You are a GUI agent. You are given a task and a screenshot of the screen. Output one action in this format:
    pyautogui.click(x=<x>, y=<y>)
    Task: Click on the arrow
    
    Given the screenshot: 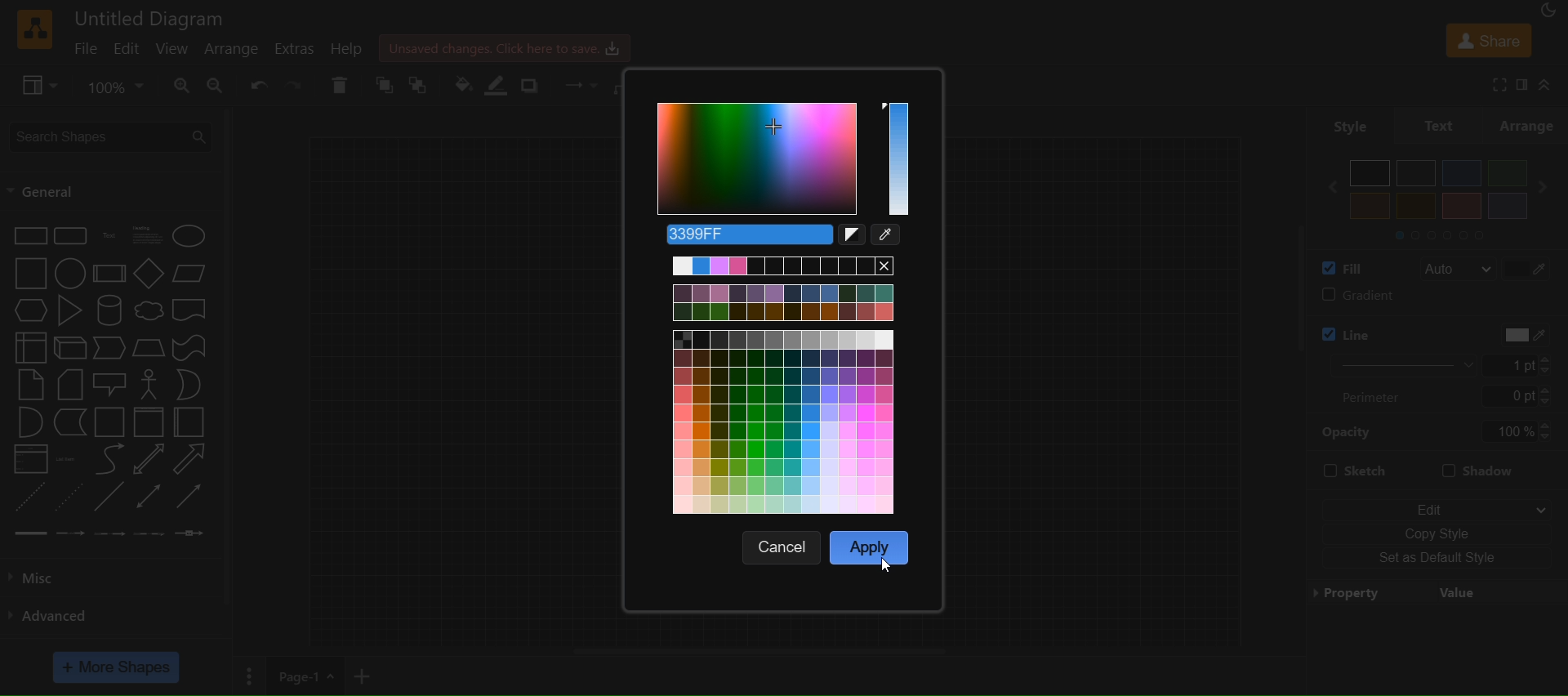 What is the action you would take?
    pyautogui.click(x=189, y=459)
    